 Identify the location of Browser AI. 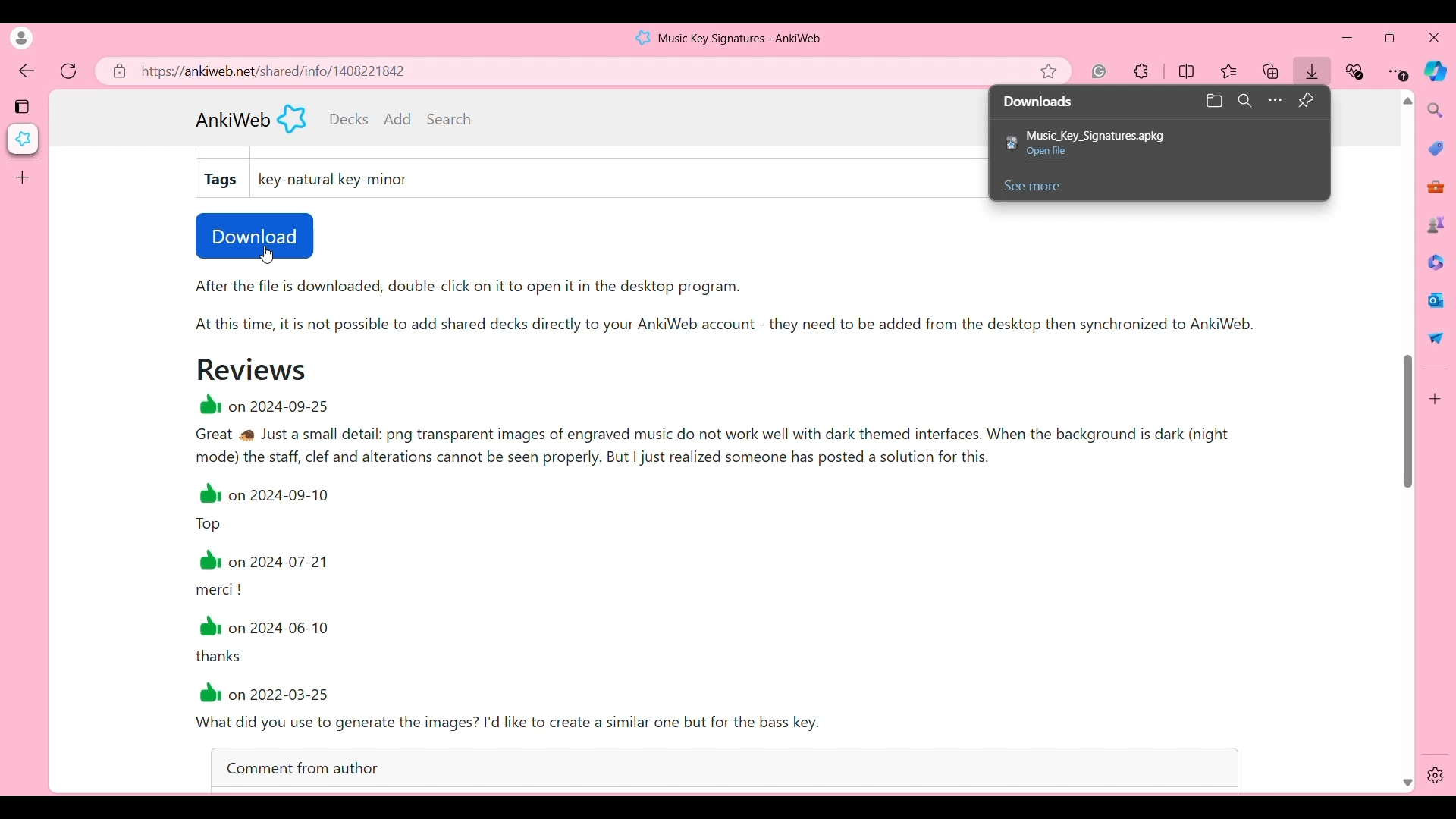
(1435, 71).